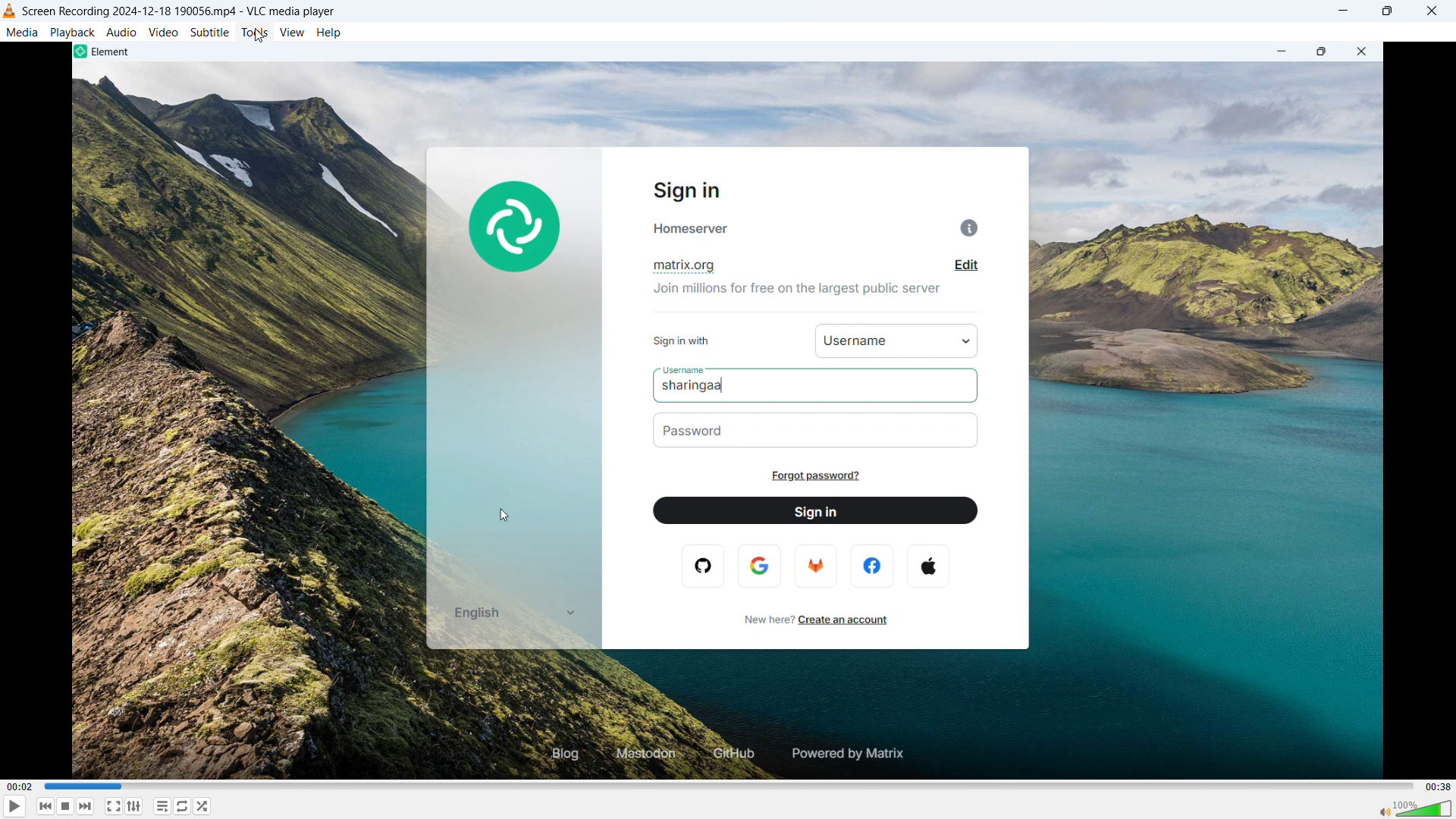 The image size is (1456, 819). I want to click on close, so click(1357, 52).